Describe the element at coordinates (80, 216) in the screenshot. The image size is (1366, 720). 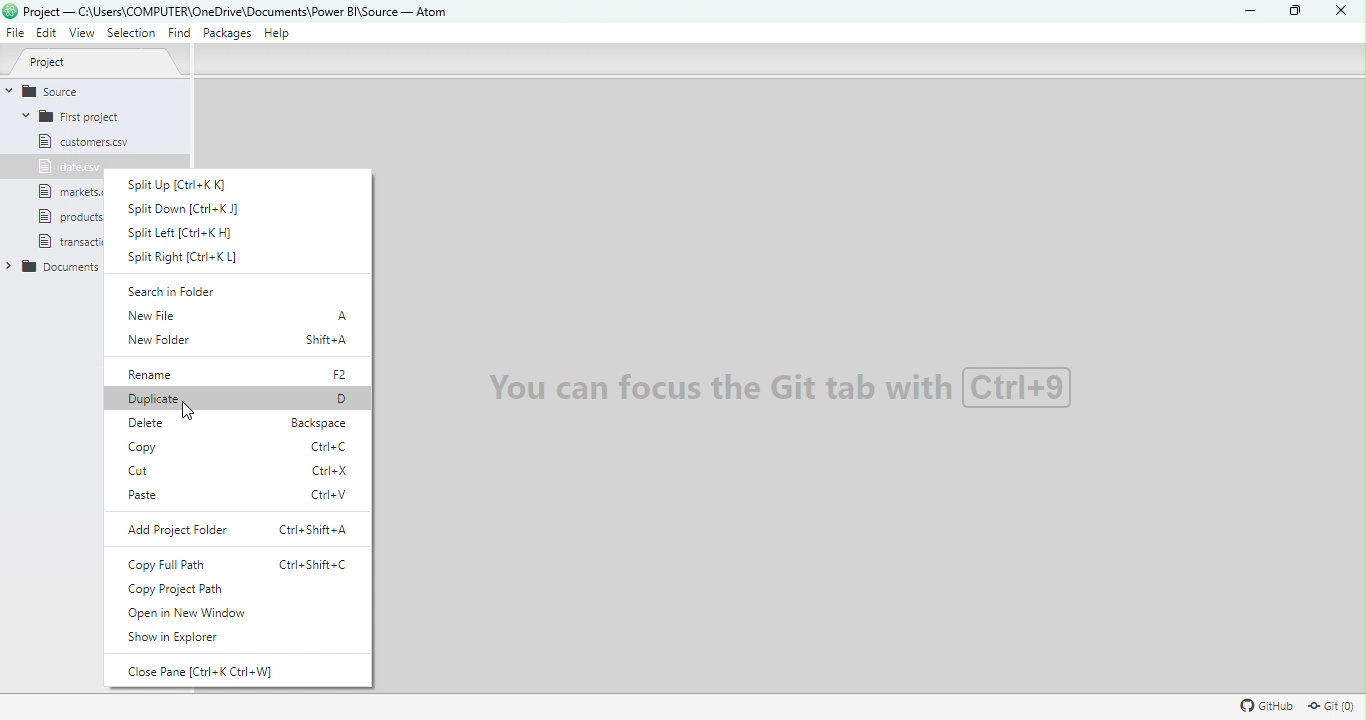
I see `File` at that location.